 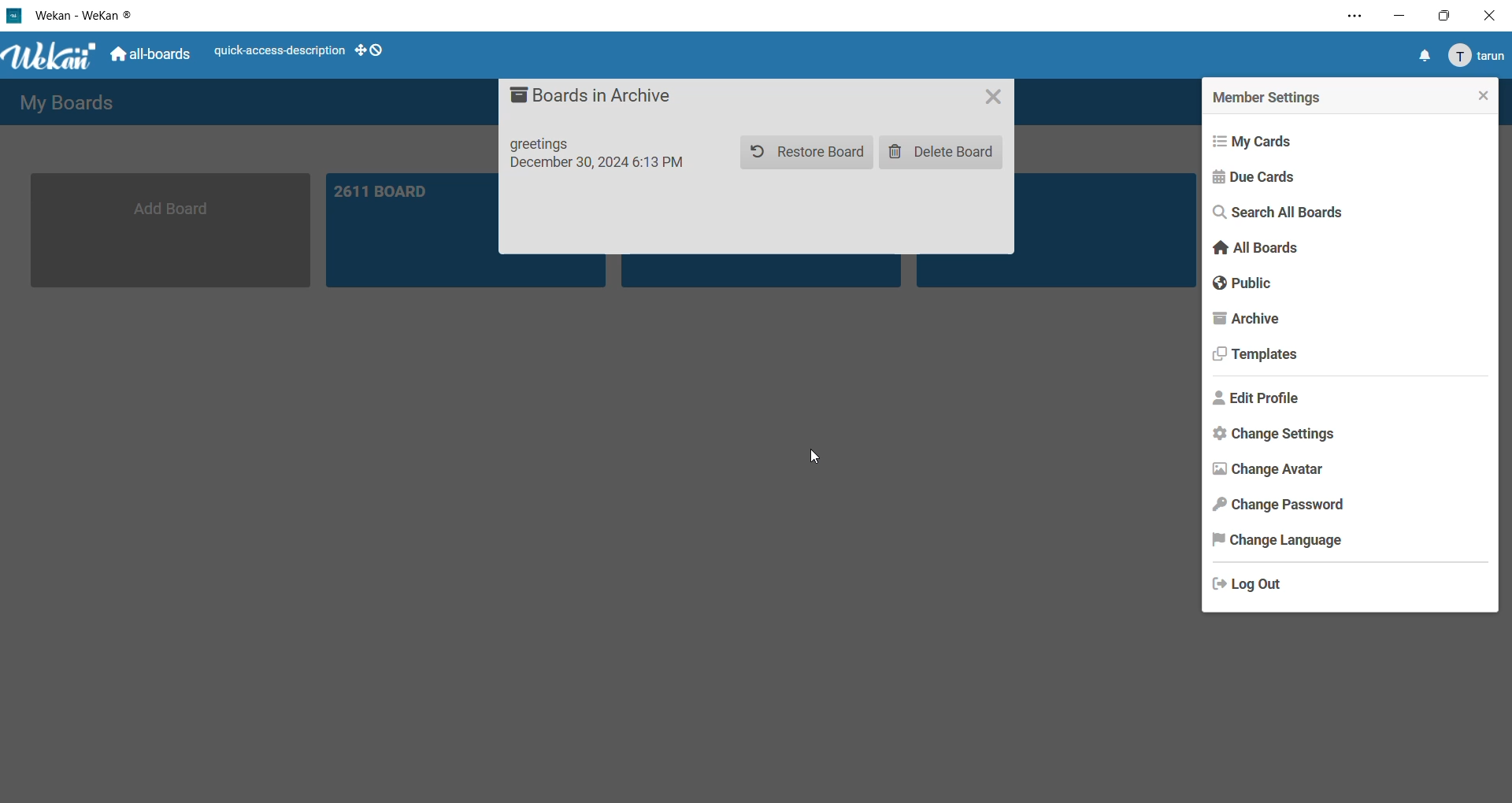 I want to click on greetings December 30, 2024 6:13 PM, so click(x=605, y=157).